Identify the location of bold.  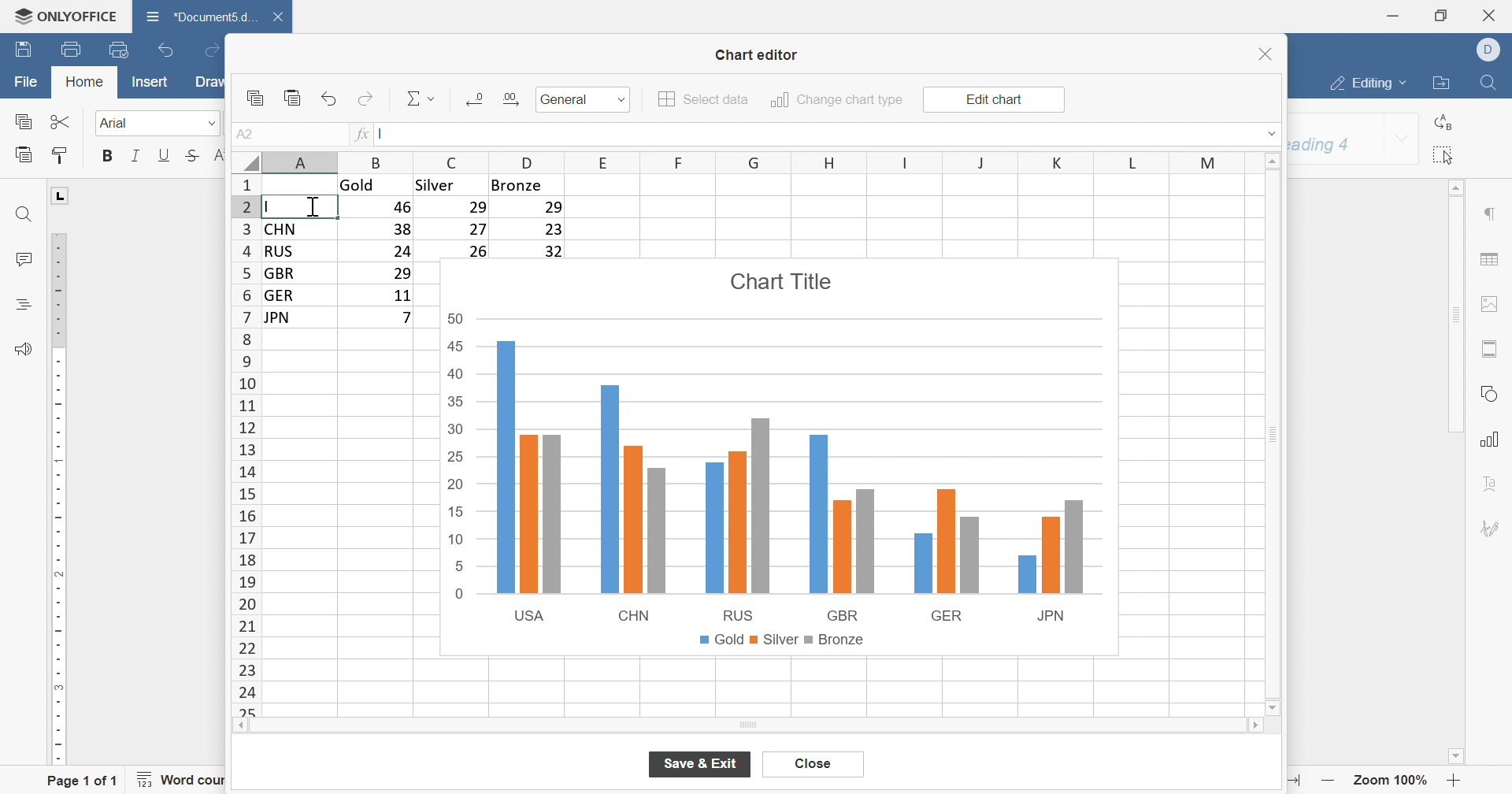
(109, 155).